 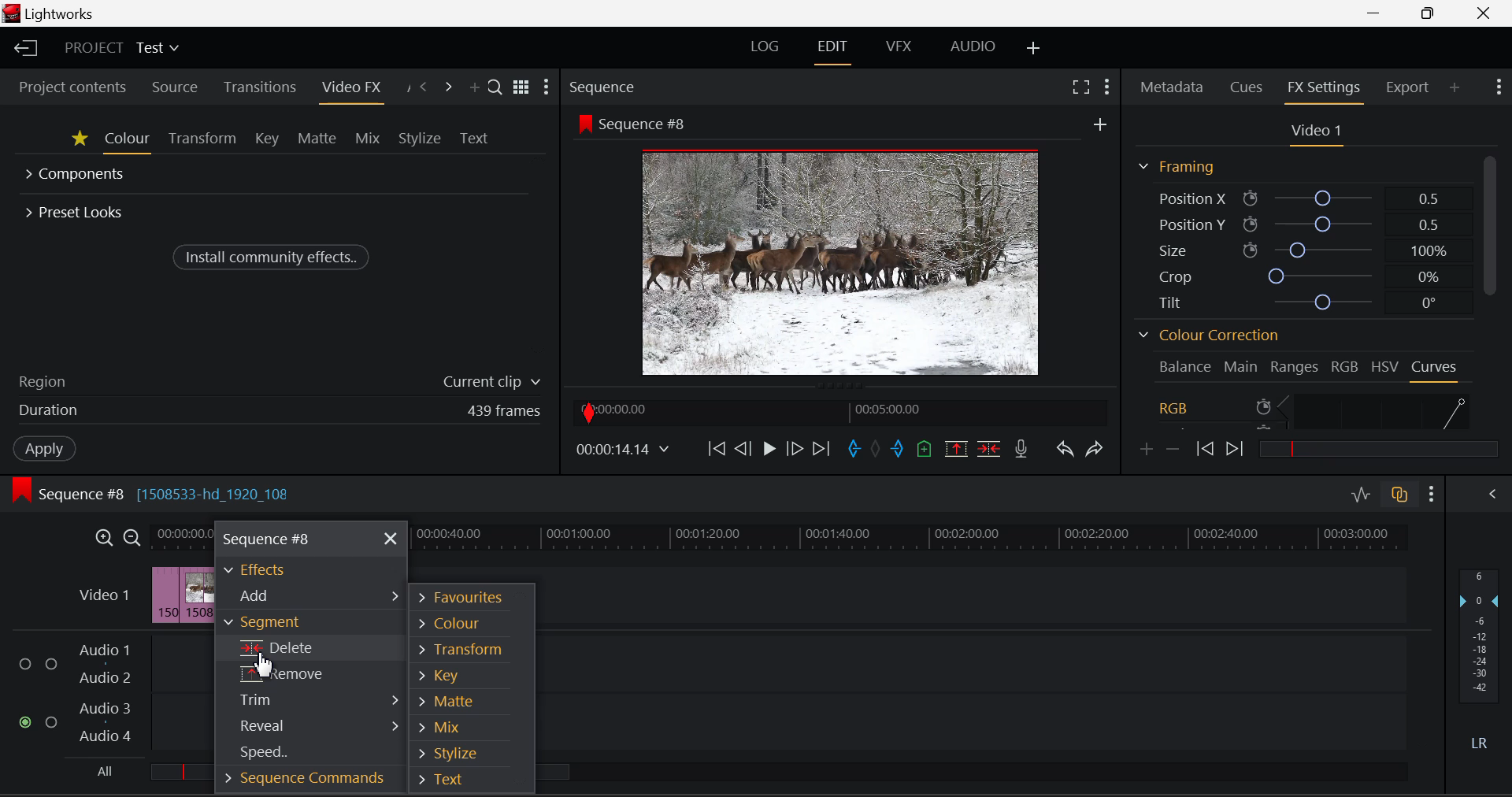 I want to click on Show Audio Mix, so click(x=1492, y=496).